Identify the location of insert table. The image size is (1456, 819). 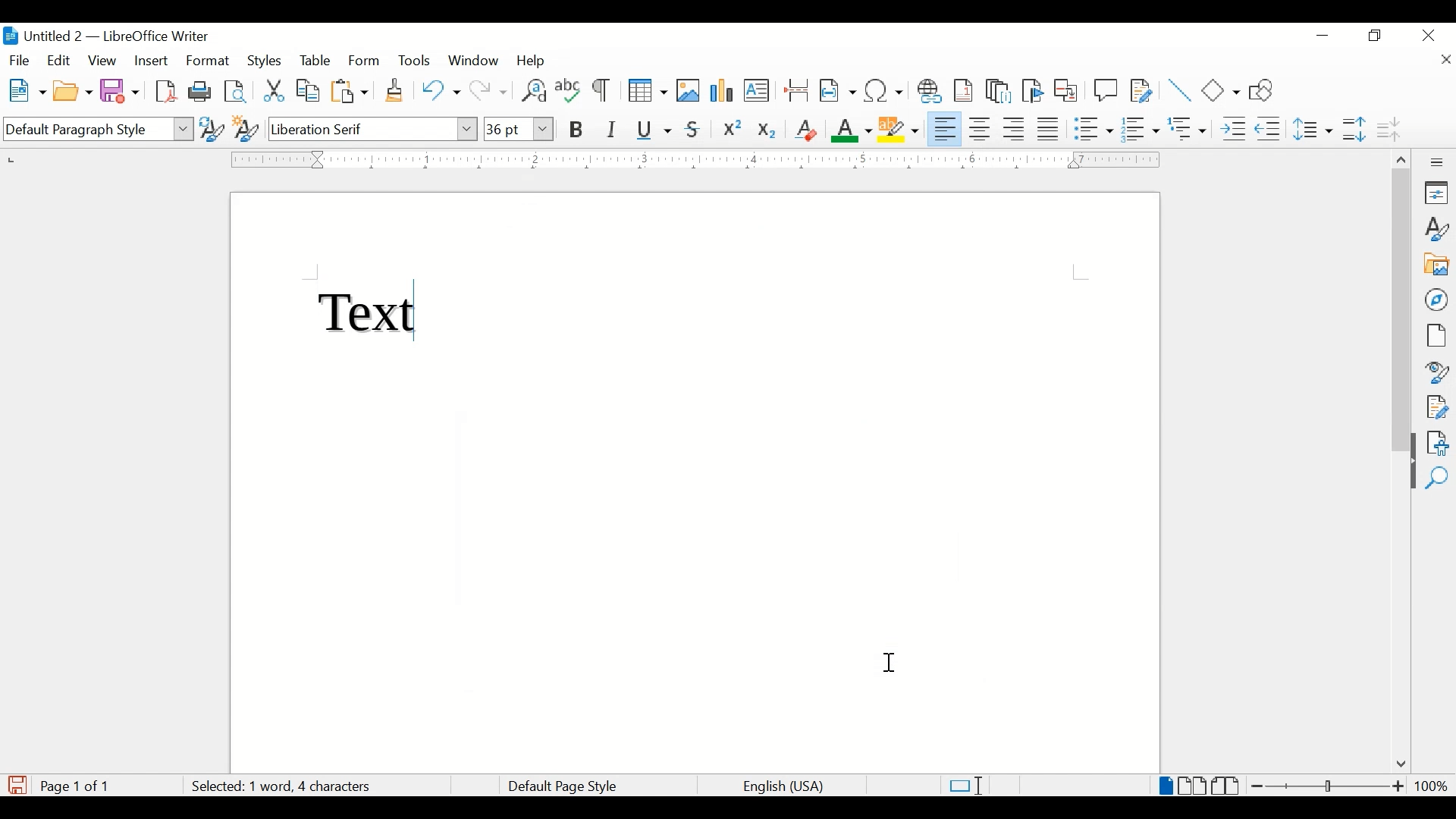
(648, 90).